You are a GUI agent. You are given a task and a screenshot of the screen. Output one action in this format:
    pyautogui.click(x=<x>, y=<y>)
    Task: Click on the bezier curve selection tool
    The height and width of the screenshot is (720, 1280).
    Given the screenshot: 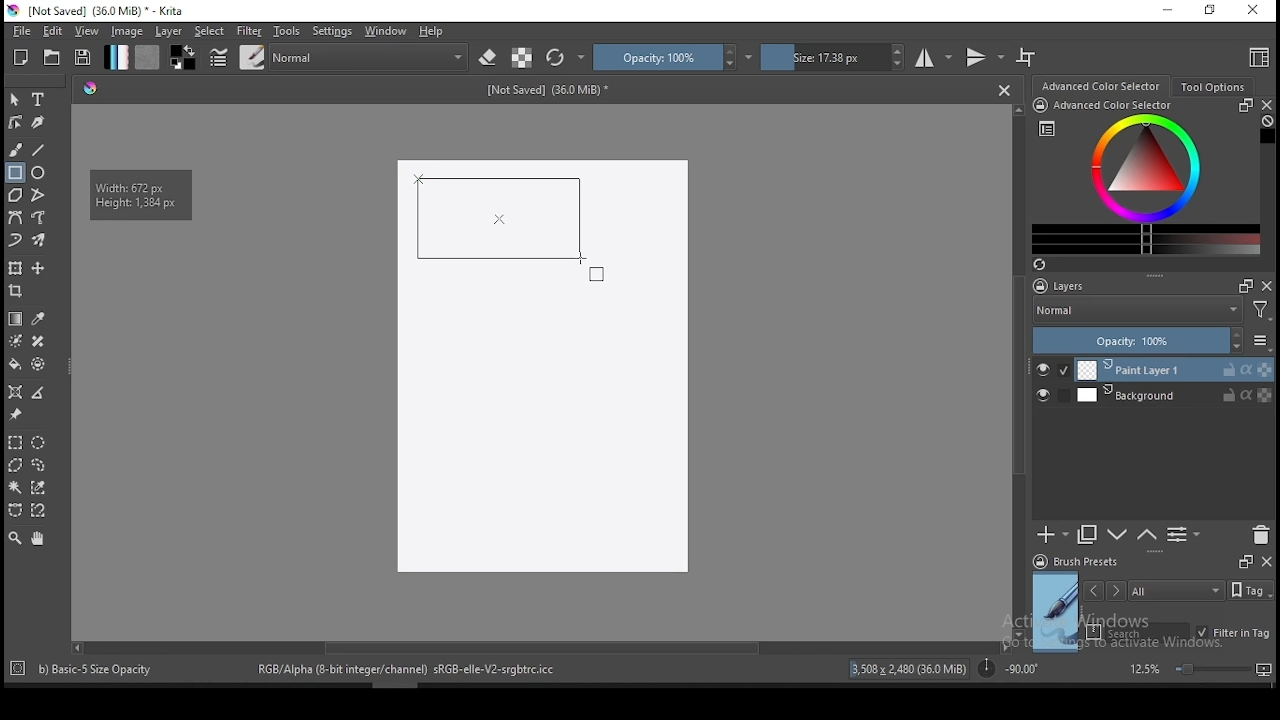 What is the action you would take?
    pyautogui.click(x=15, y=511)
    